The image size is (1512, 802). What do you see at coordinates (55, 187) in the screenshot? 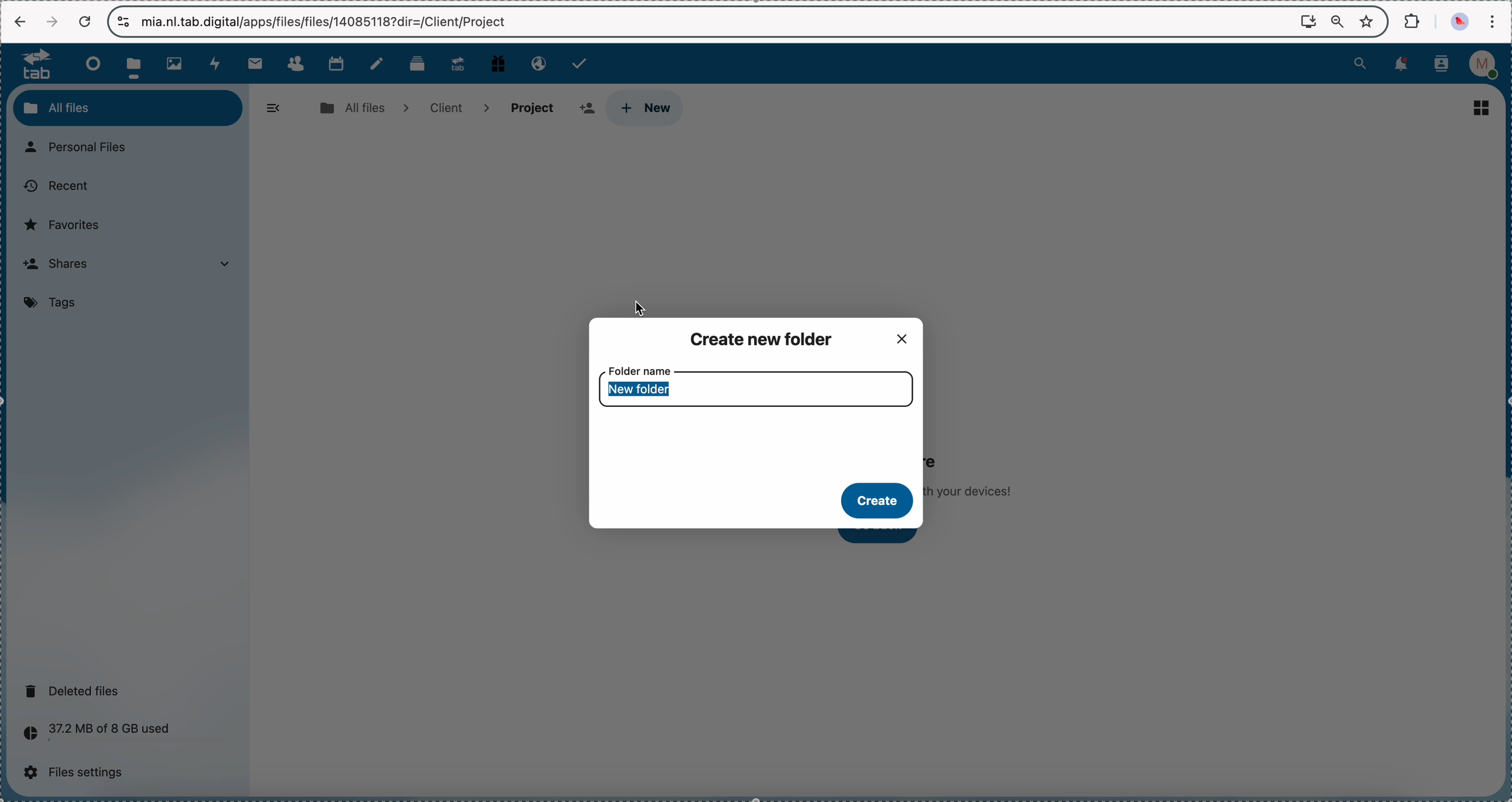
I see `recent` at bounding box center [55, 187].